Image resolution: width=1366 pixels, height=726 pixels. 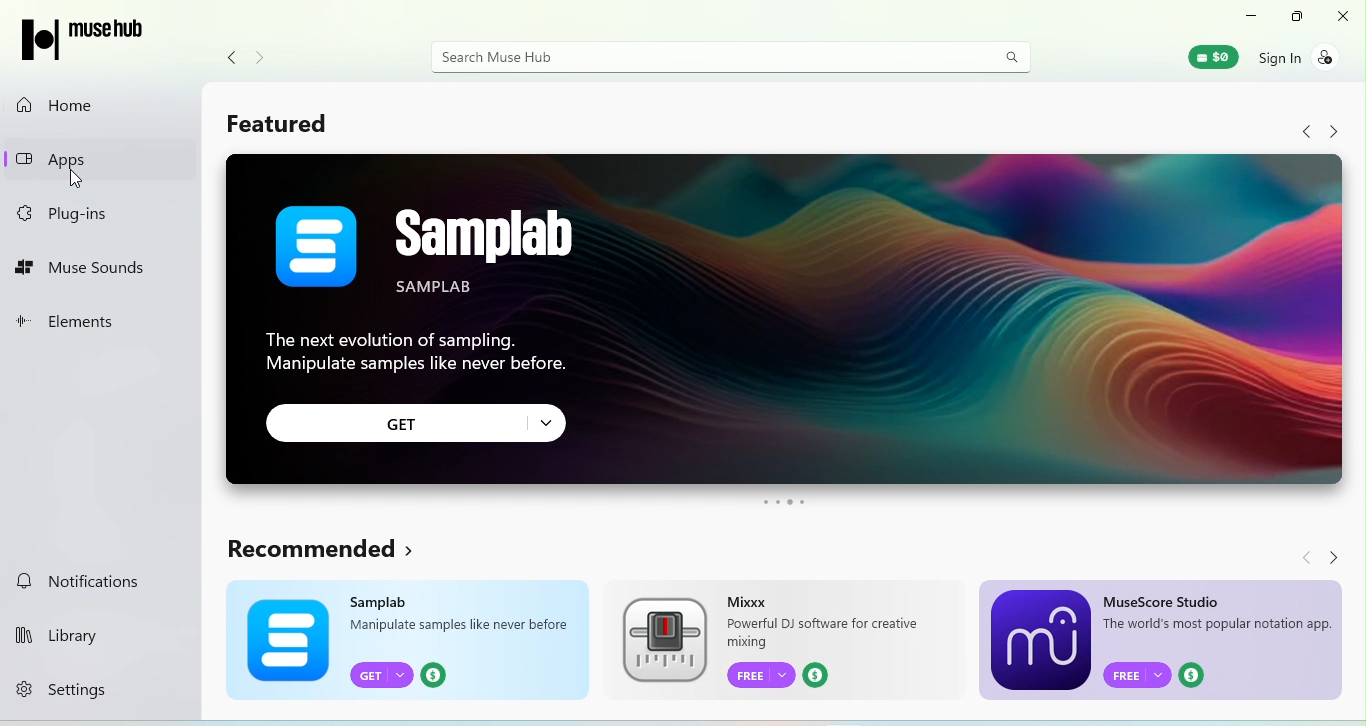 I want to click on Navigate back , so click(x=232, y=57).